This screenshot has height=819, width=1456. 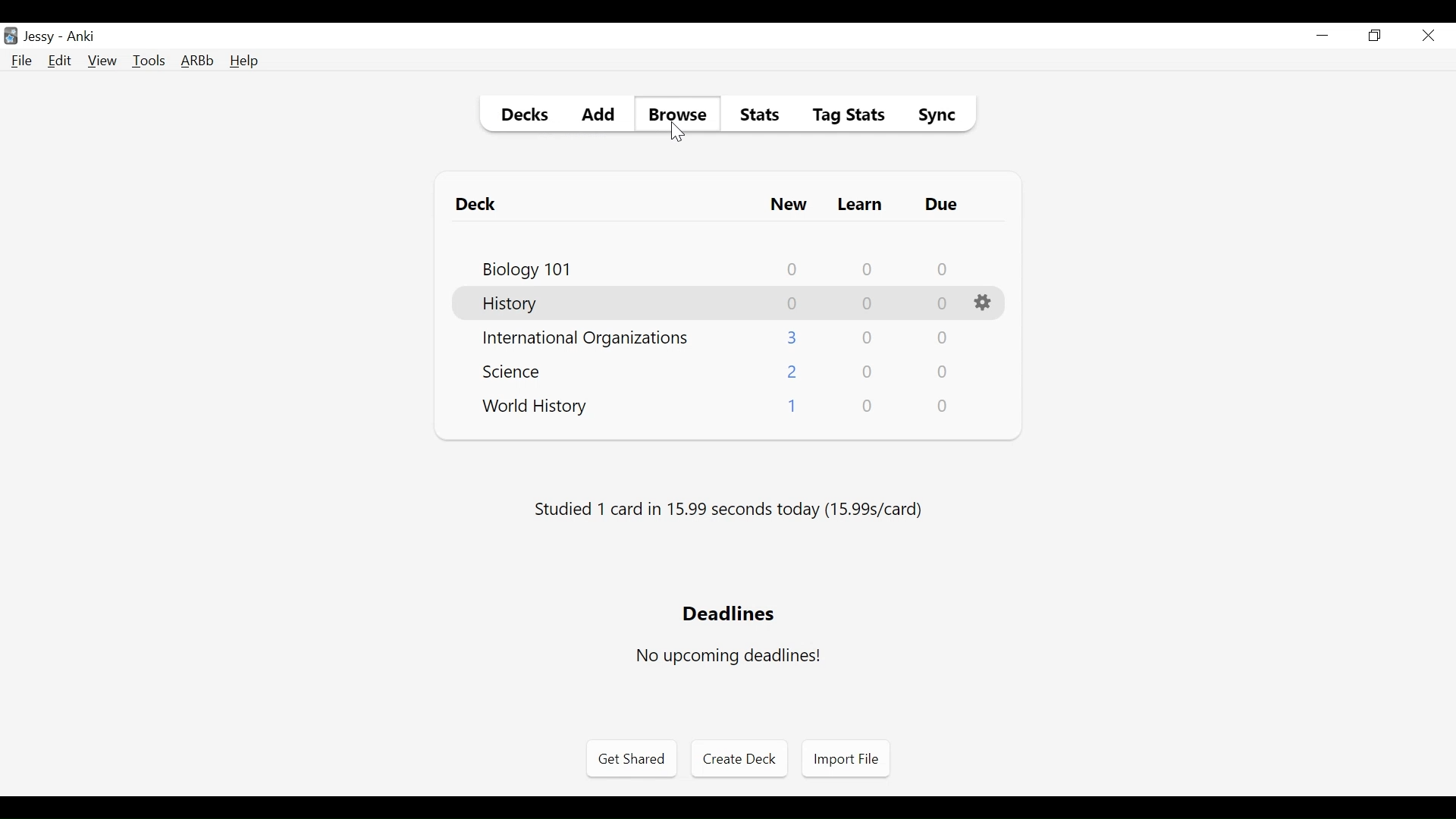 What do you see at coordinates (509, 372) in the screenshot?
I see `Deck Name` at bounding box center [509, 372].